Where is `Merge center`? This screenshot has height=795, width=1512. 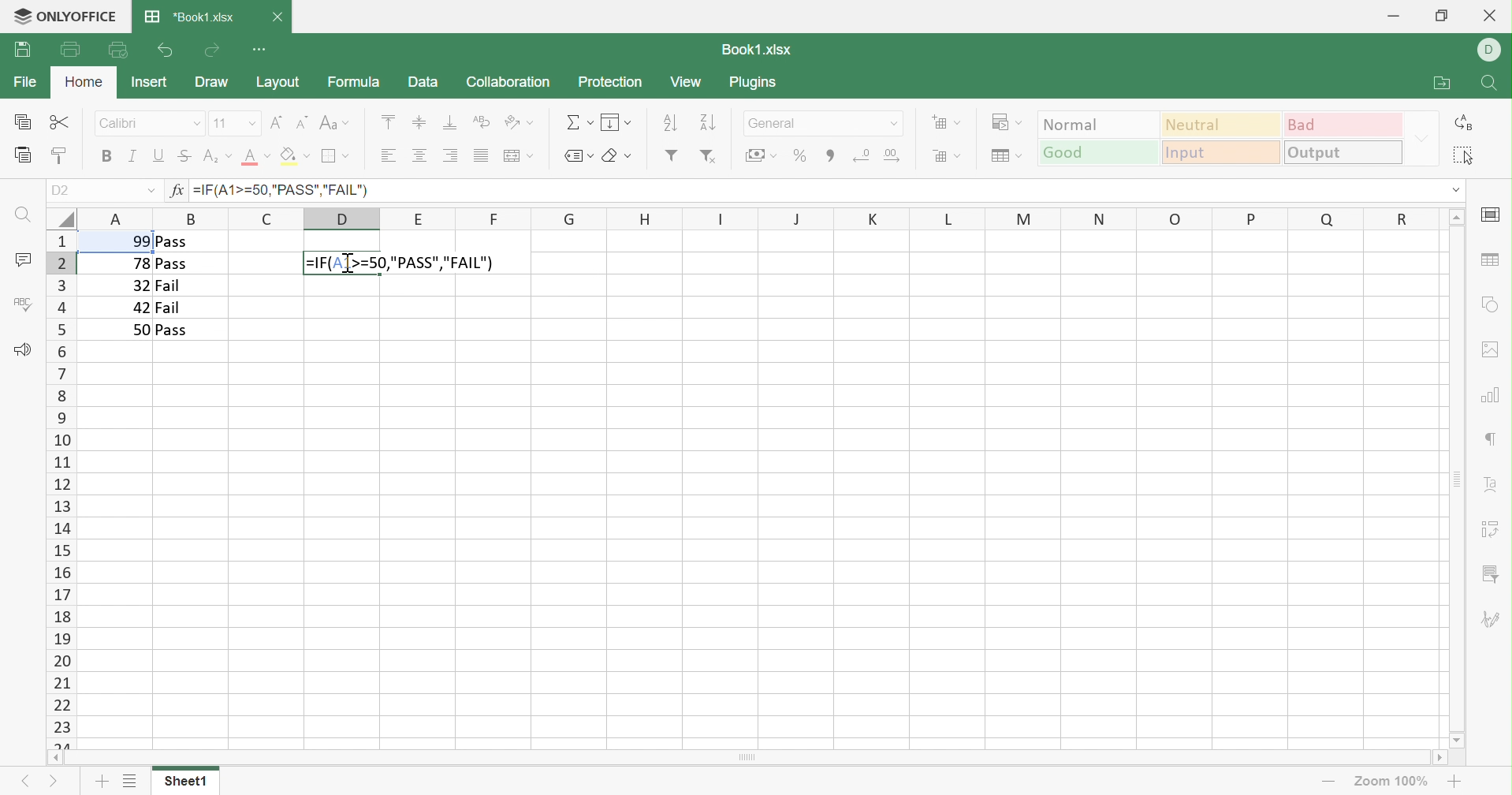
Merge center is located at coordinates (517, 157).